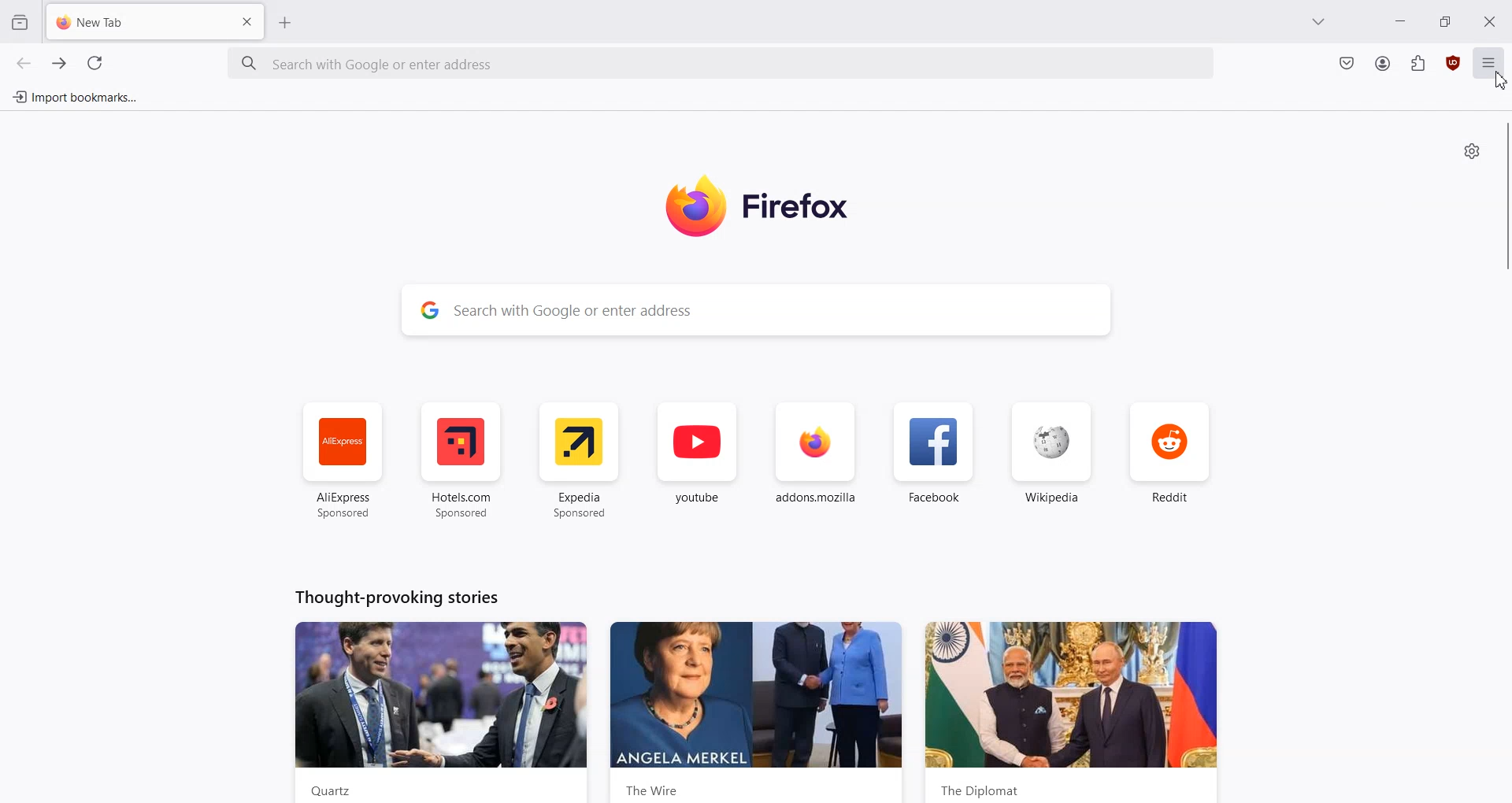  Describe the element at coordinates (1318, 20) in the screenshot. I see `List all tab` at that location.